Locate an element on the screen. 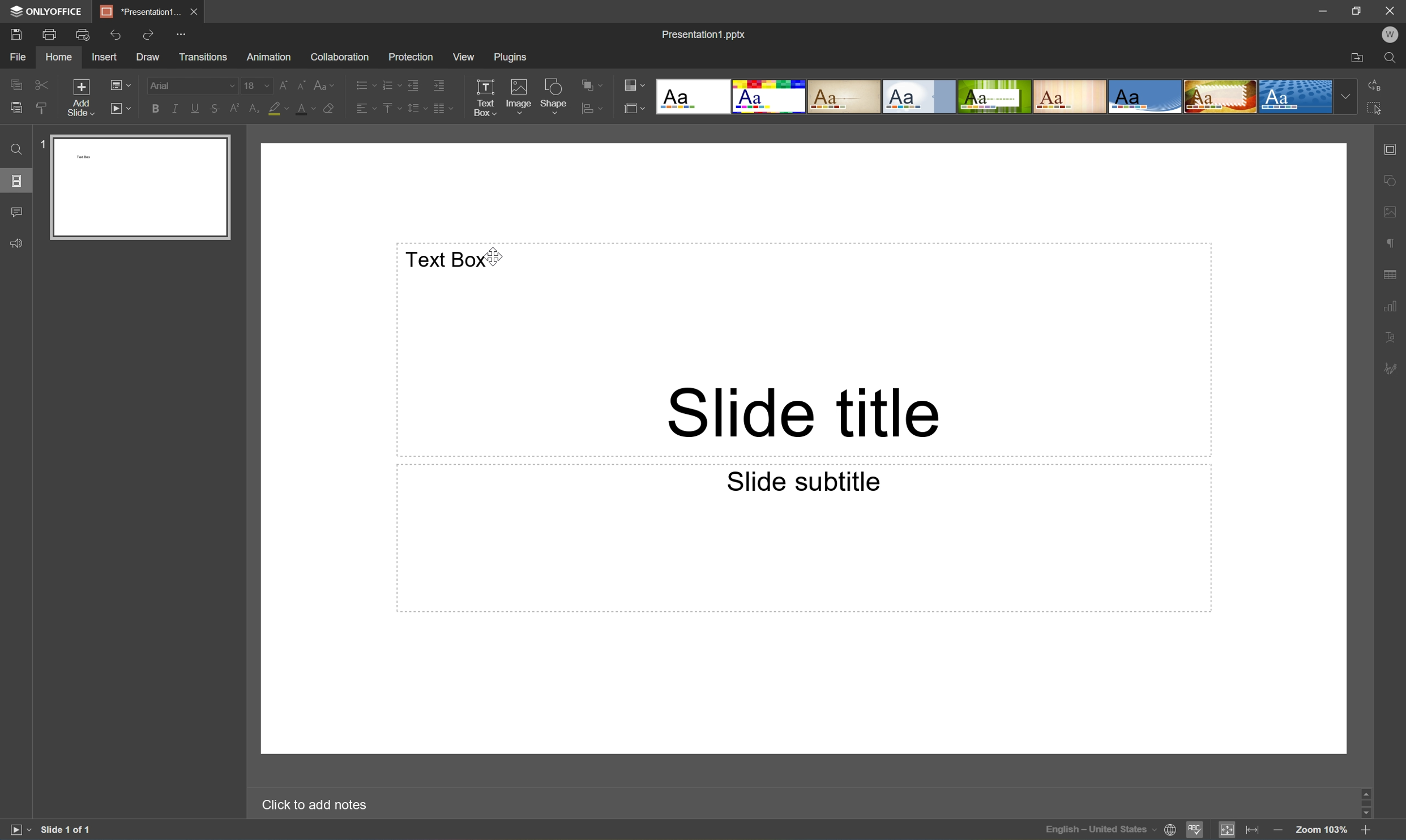 Image resolution: width=1406 pixels, height=840 pixels. Zoom out is located at coordinates (1278, 829).